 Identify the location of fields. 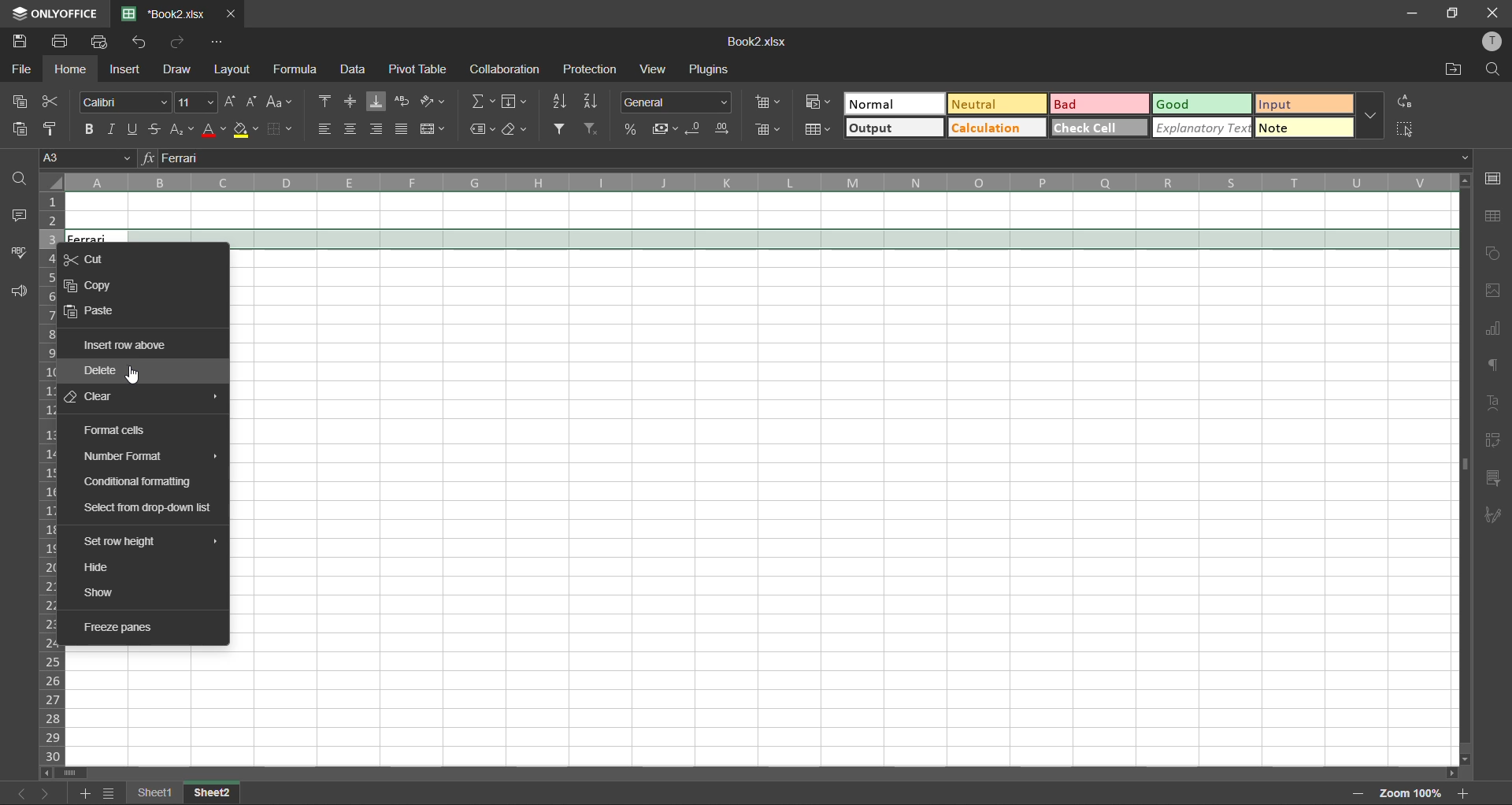
(517, 101).